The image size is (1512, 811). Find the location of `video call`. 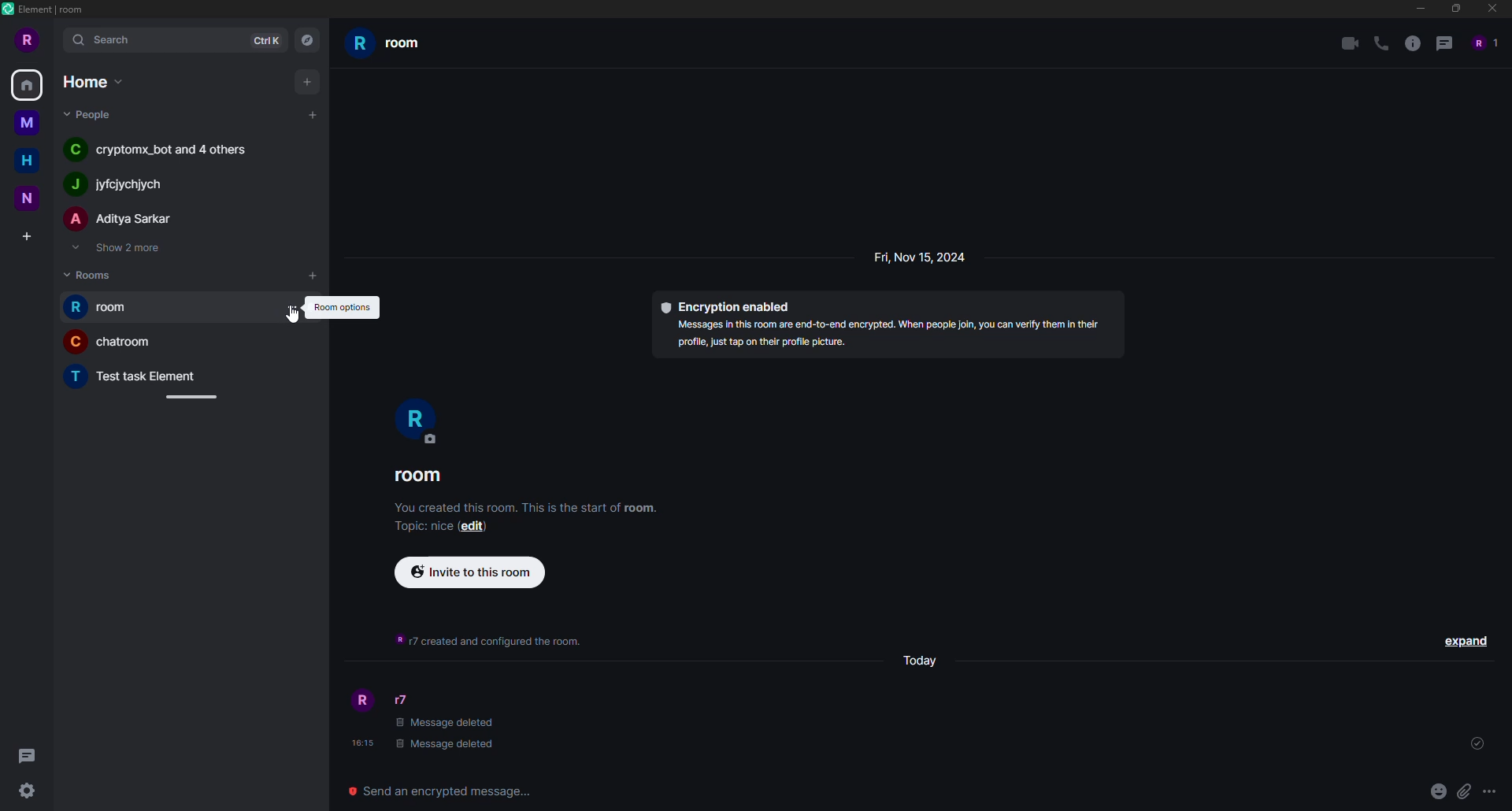

video call is located at coordinates (1347, 43).